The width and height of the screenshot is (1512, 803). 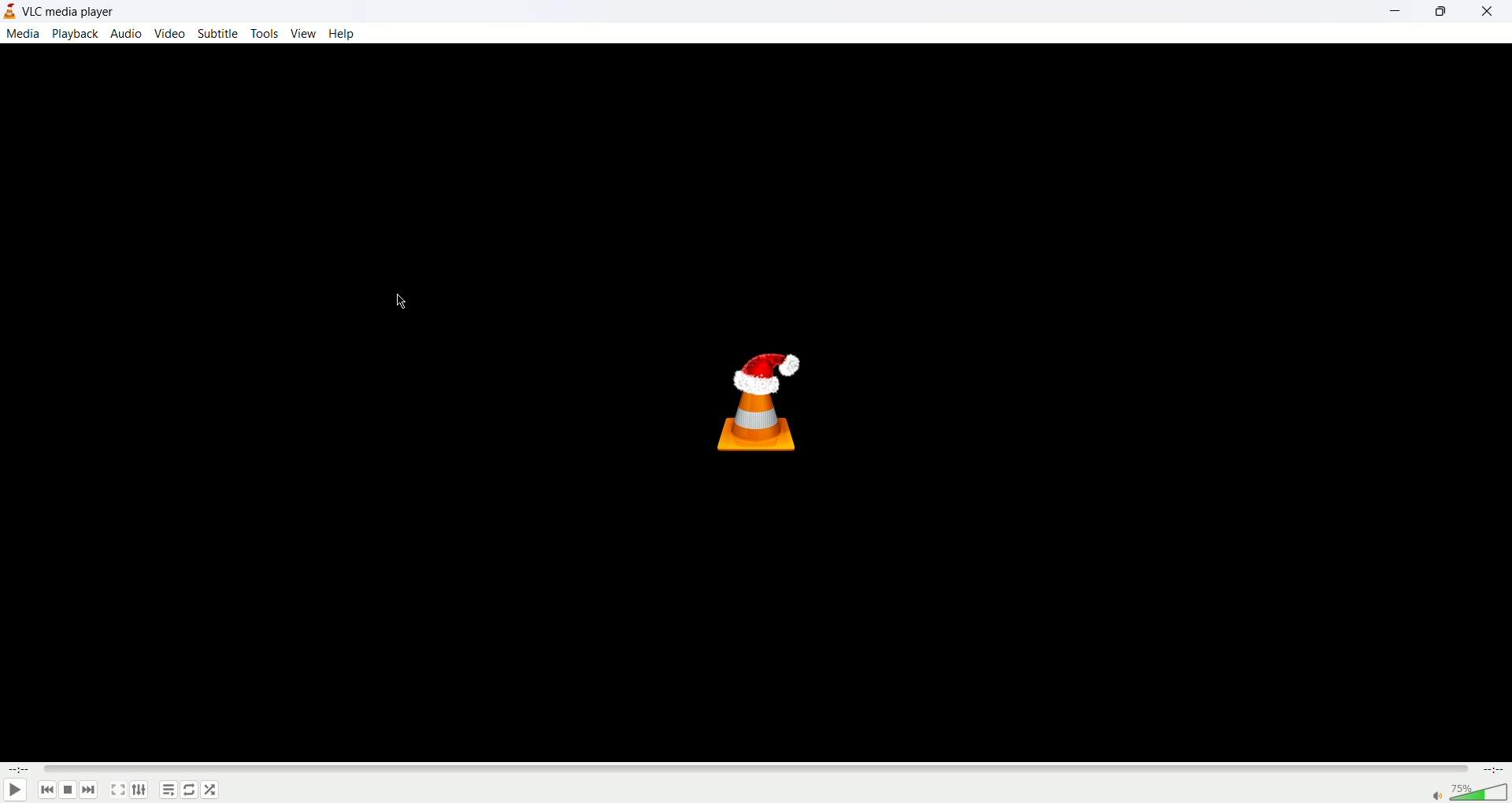 What do you see at coordinates (188, 790) in the screenshot?
I see `toggle loop` at bounding box center [188, 790].